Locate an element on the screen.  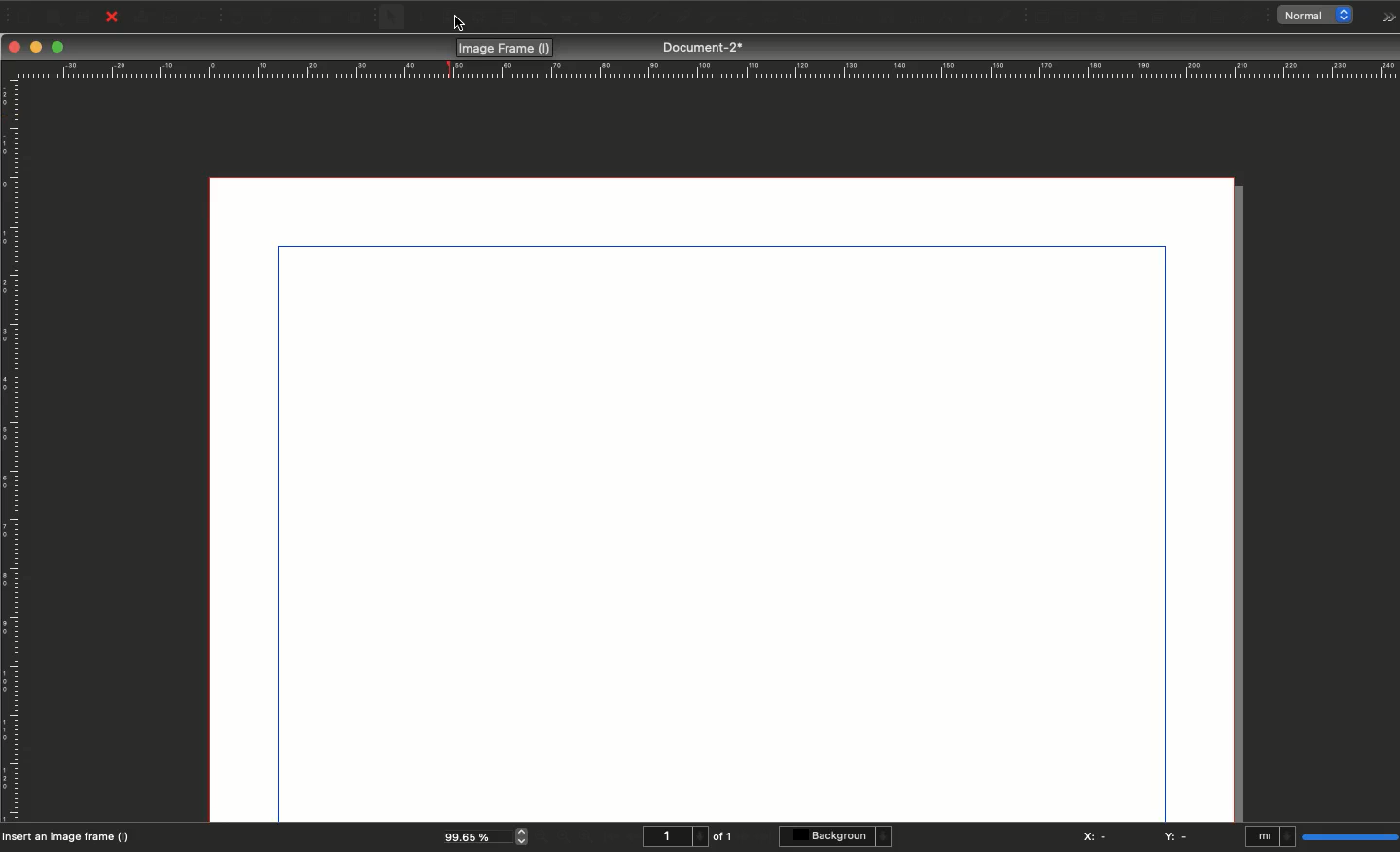
Ruler is located at coordinates (705, 70).